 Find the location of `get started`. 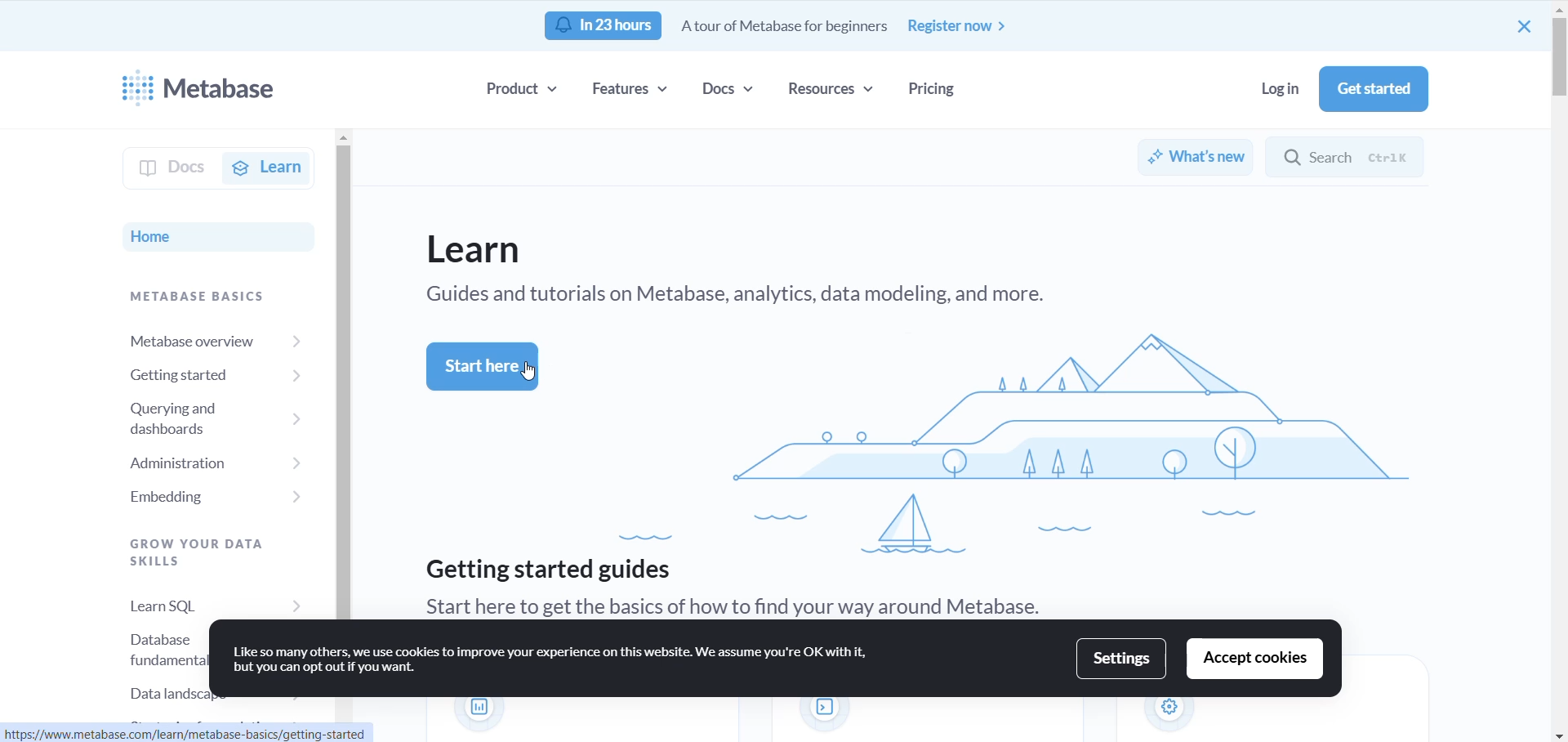

get started is located at coordinates (1374, 90).